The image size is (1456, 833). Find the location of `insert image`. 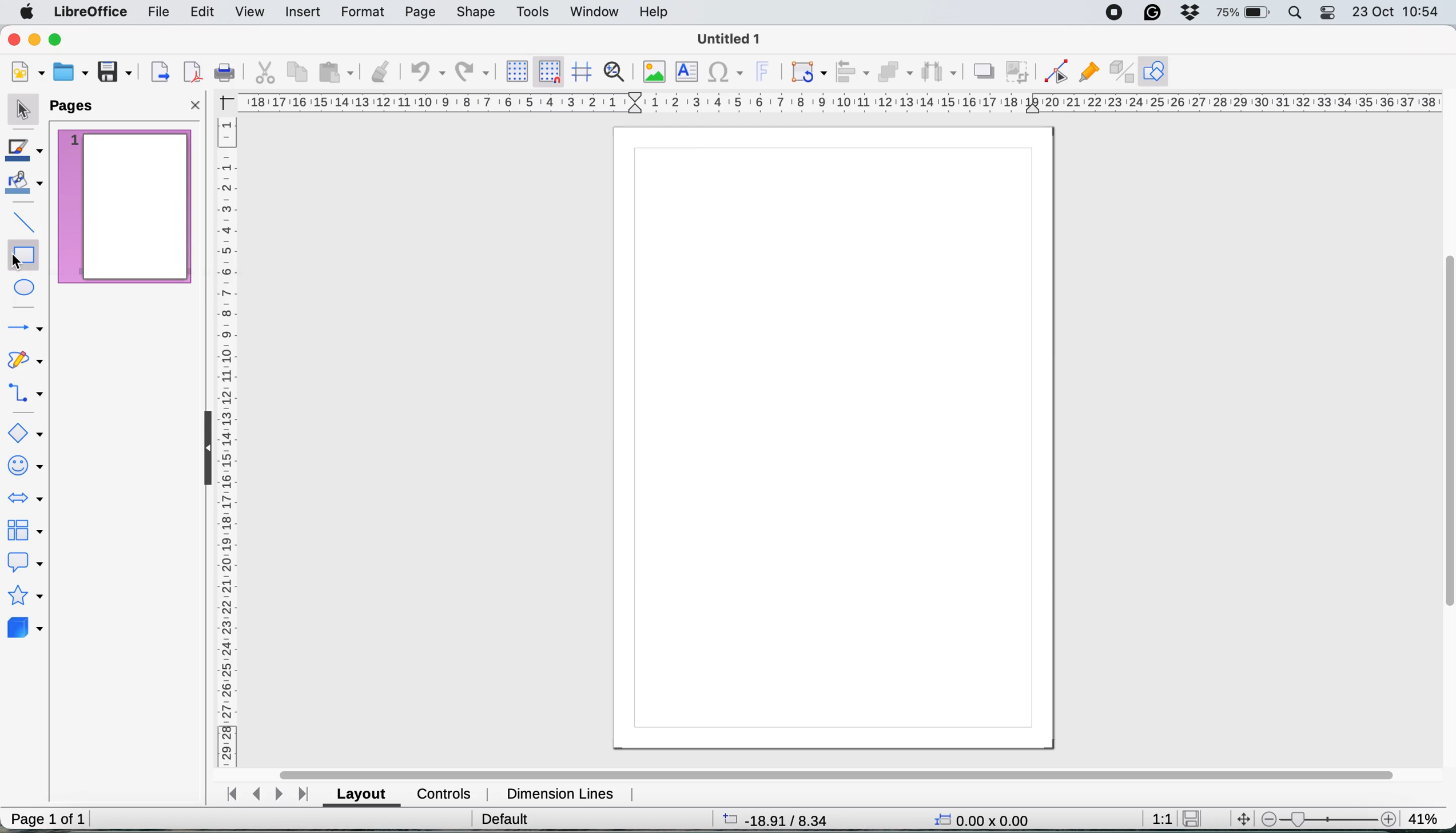

insert image is located at coordinates (658, 70).